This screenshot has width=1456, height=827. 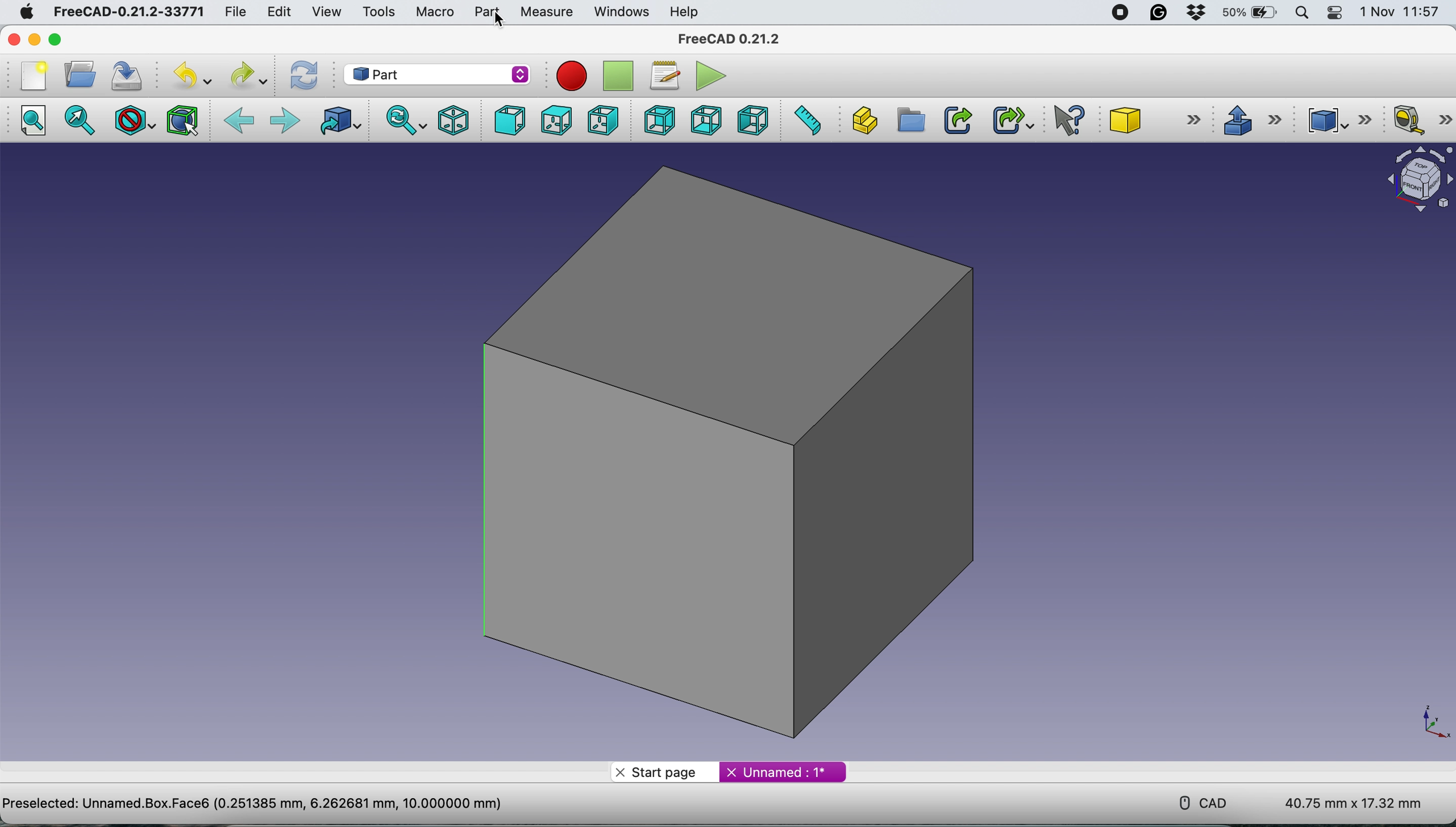 I want to click on spotlight search, so click(x=1301, y=14).